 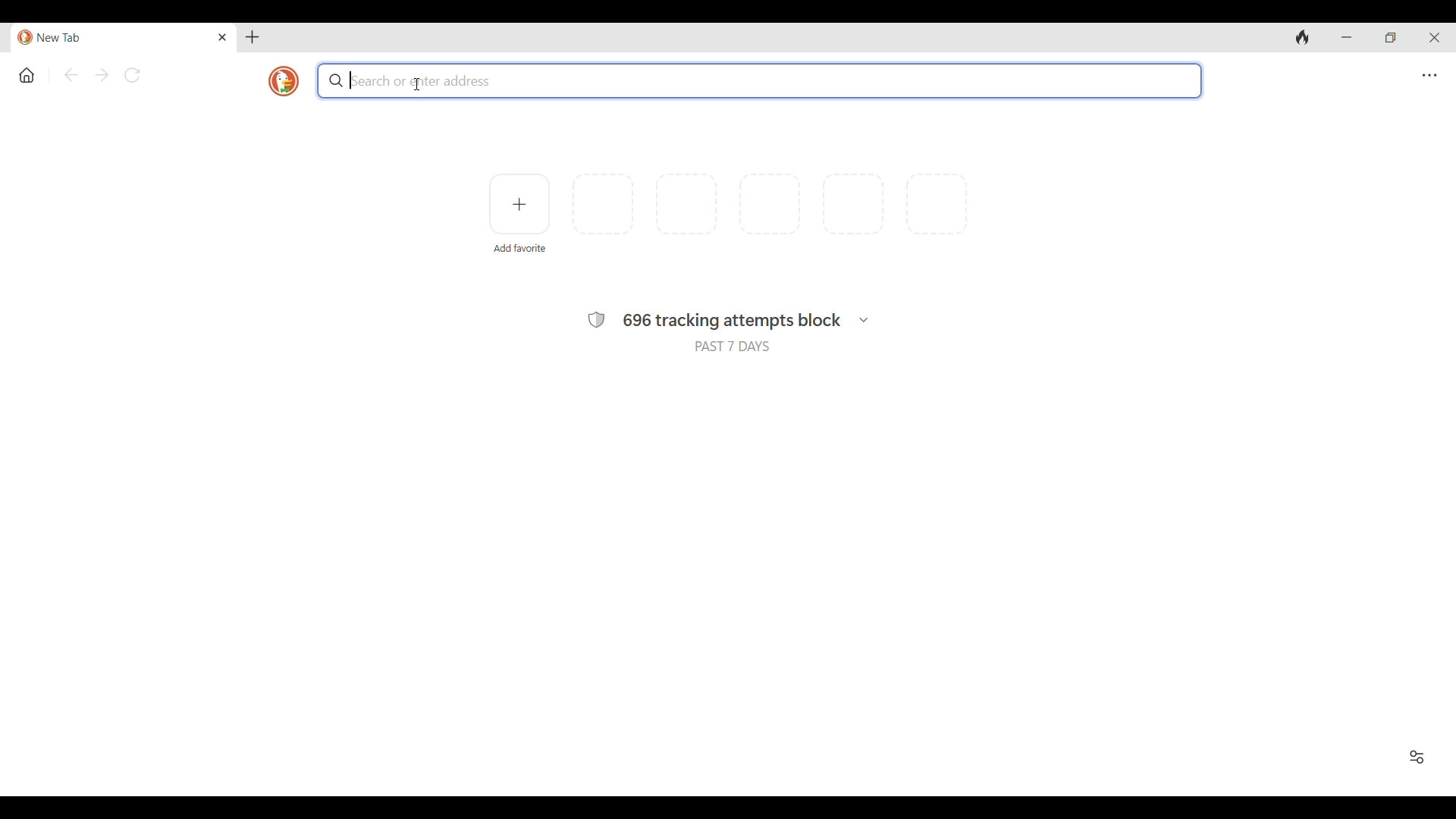 What do you see at coordinates (111, 38) in the screenshot?
I see `New Tab` at bounding box center [111, 38].